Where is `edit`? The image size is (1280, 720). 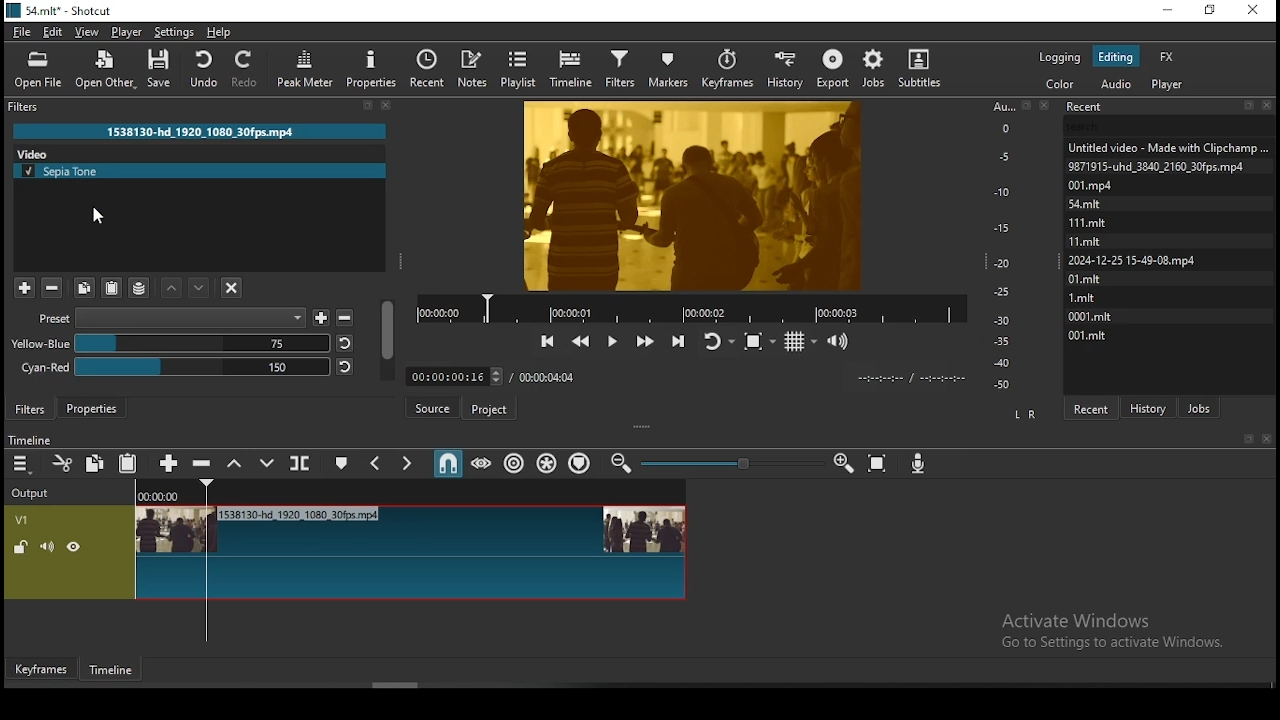 edit is located at coordinates (53, 31).